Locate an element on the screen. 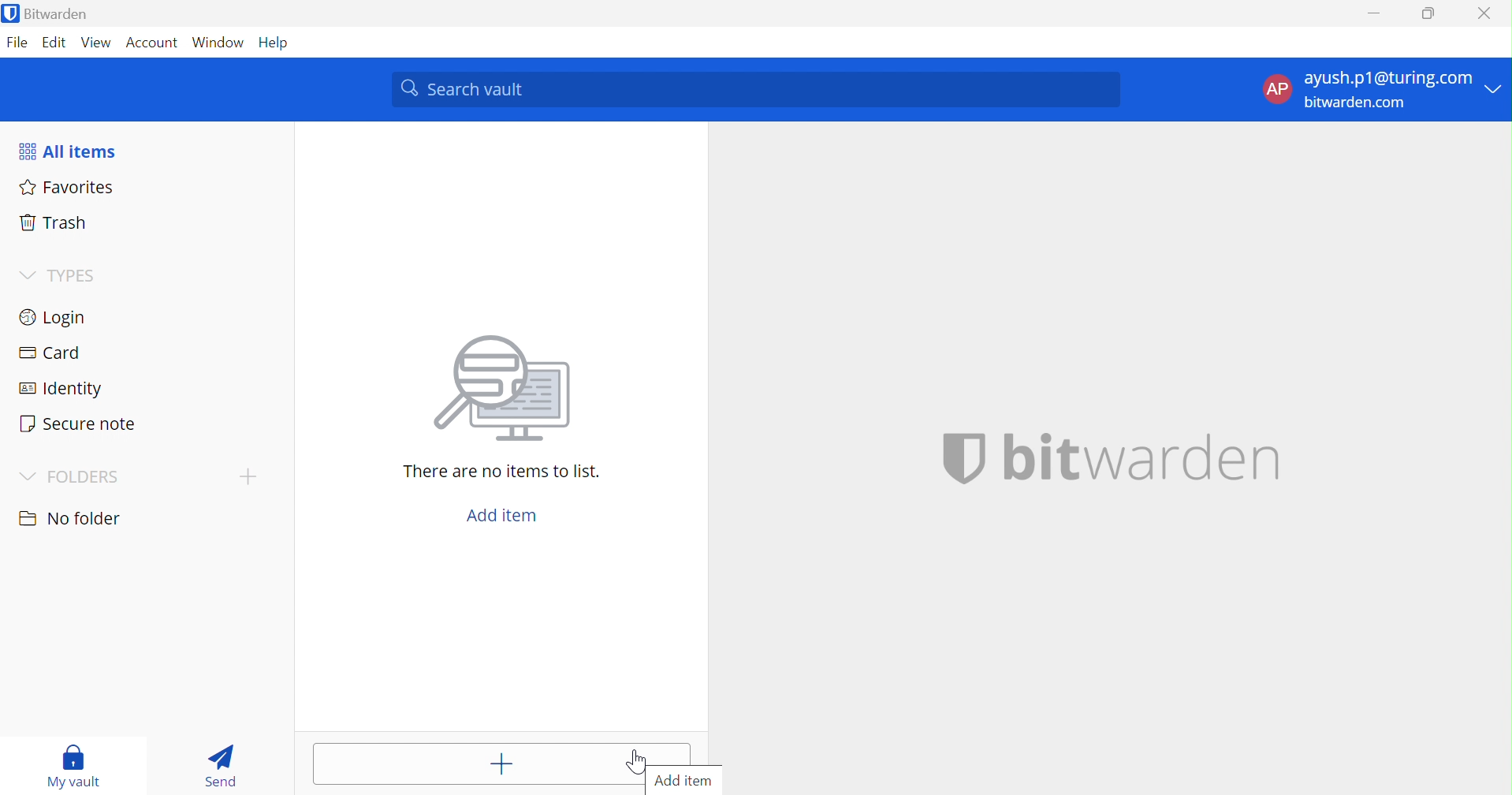  FOLDERS is located at coordinates (84, 478).